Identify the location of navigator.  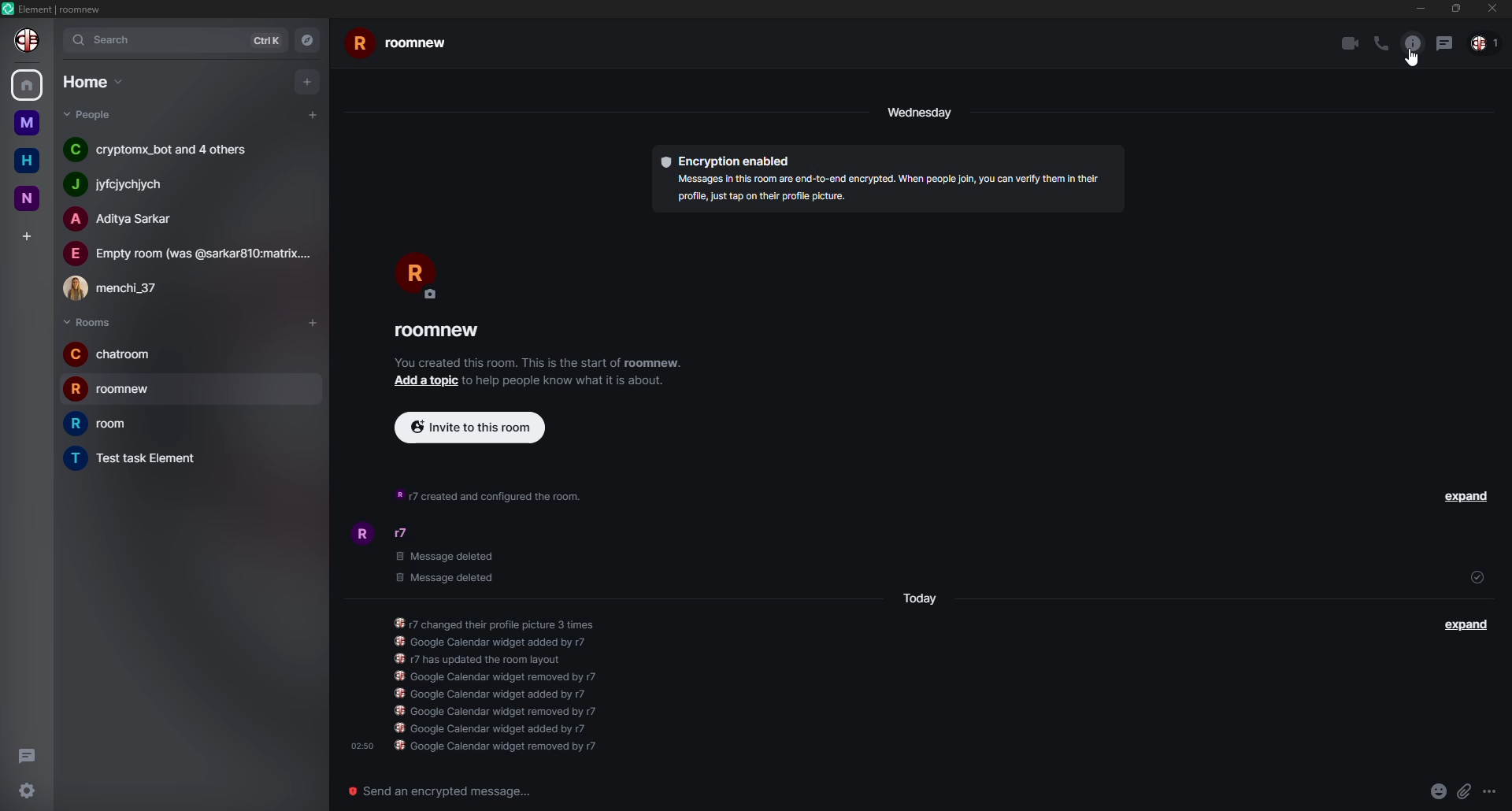
(308, 39).